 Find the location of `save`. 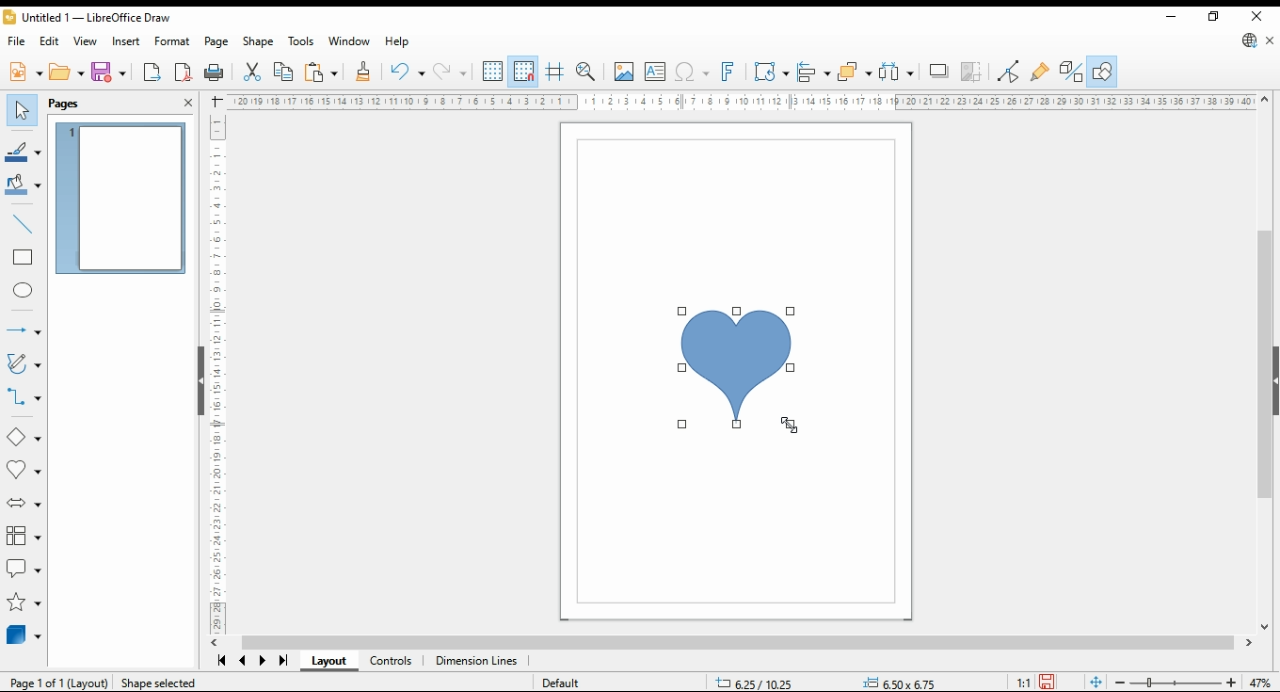

save is located at coordinates (110, 72).